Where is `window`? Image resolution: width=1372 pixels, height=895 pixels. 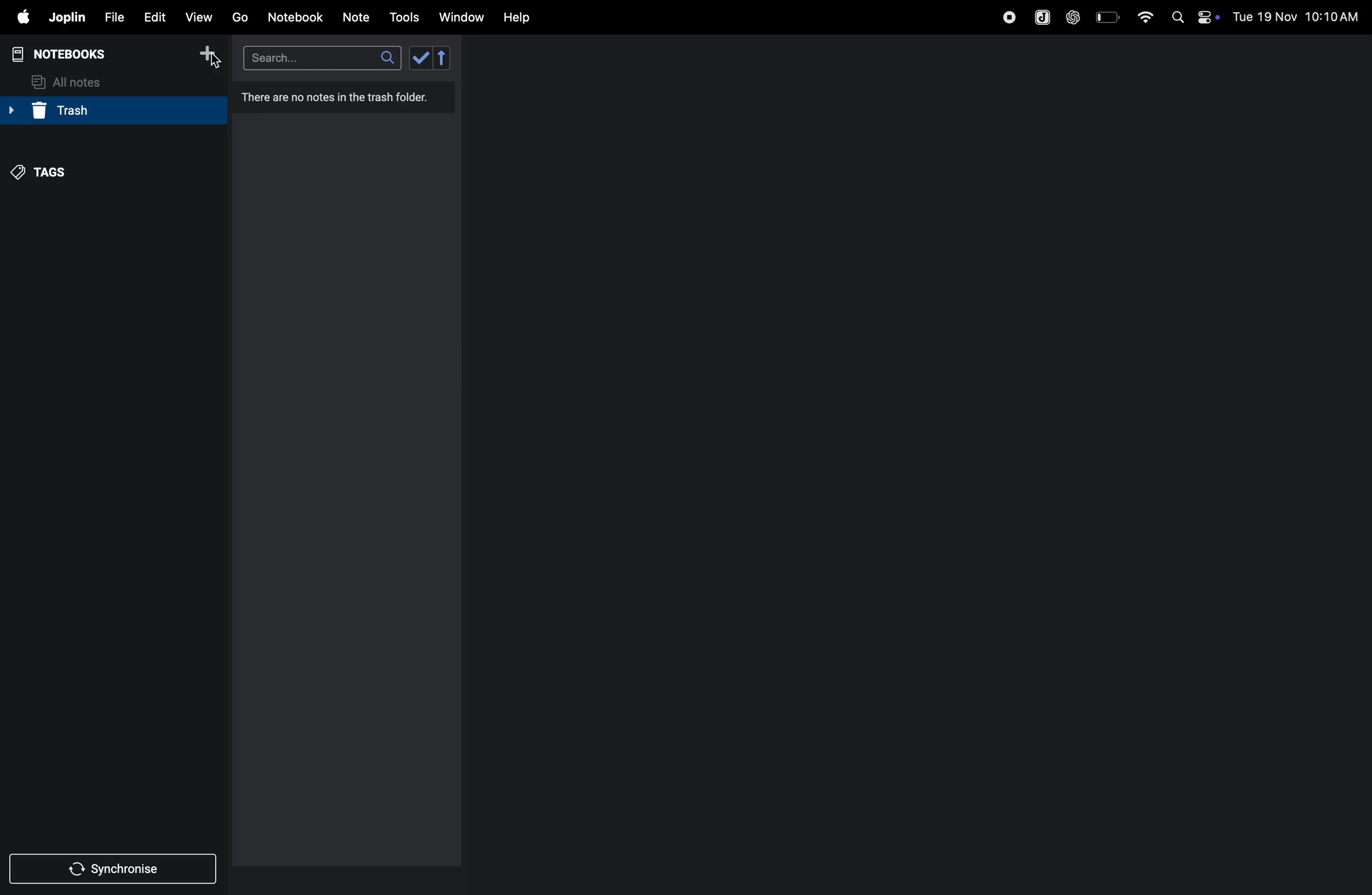
window is located at coordinates (461, 18).